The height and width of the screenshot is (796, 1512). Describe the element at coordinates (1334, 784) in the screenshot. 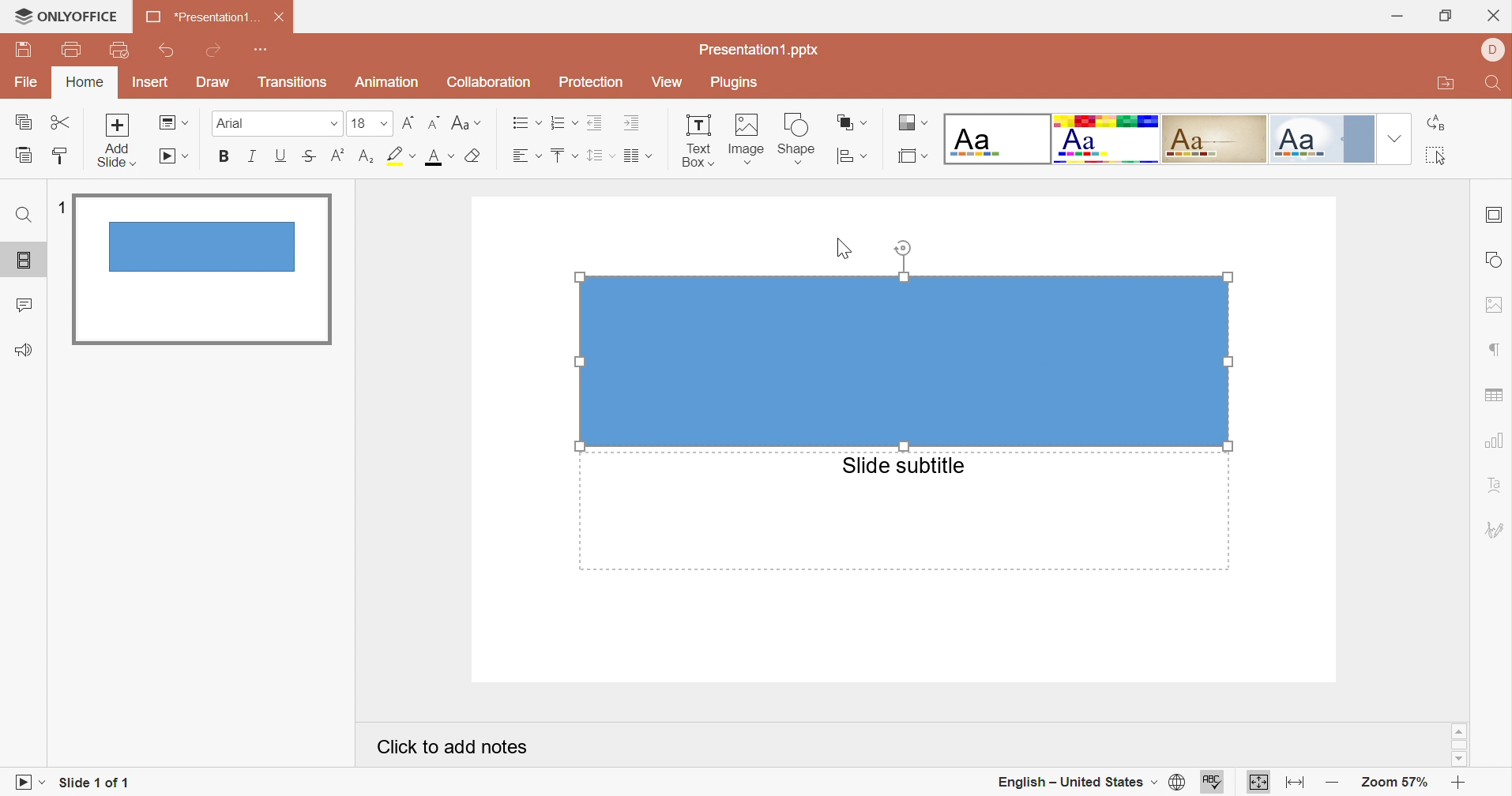

I see `Zoom out` at that location.